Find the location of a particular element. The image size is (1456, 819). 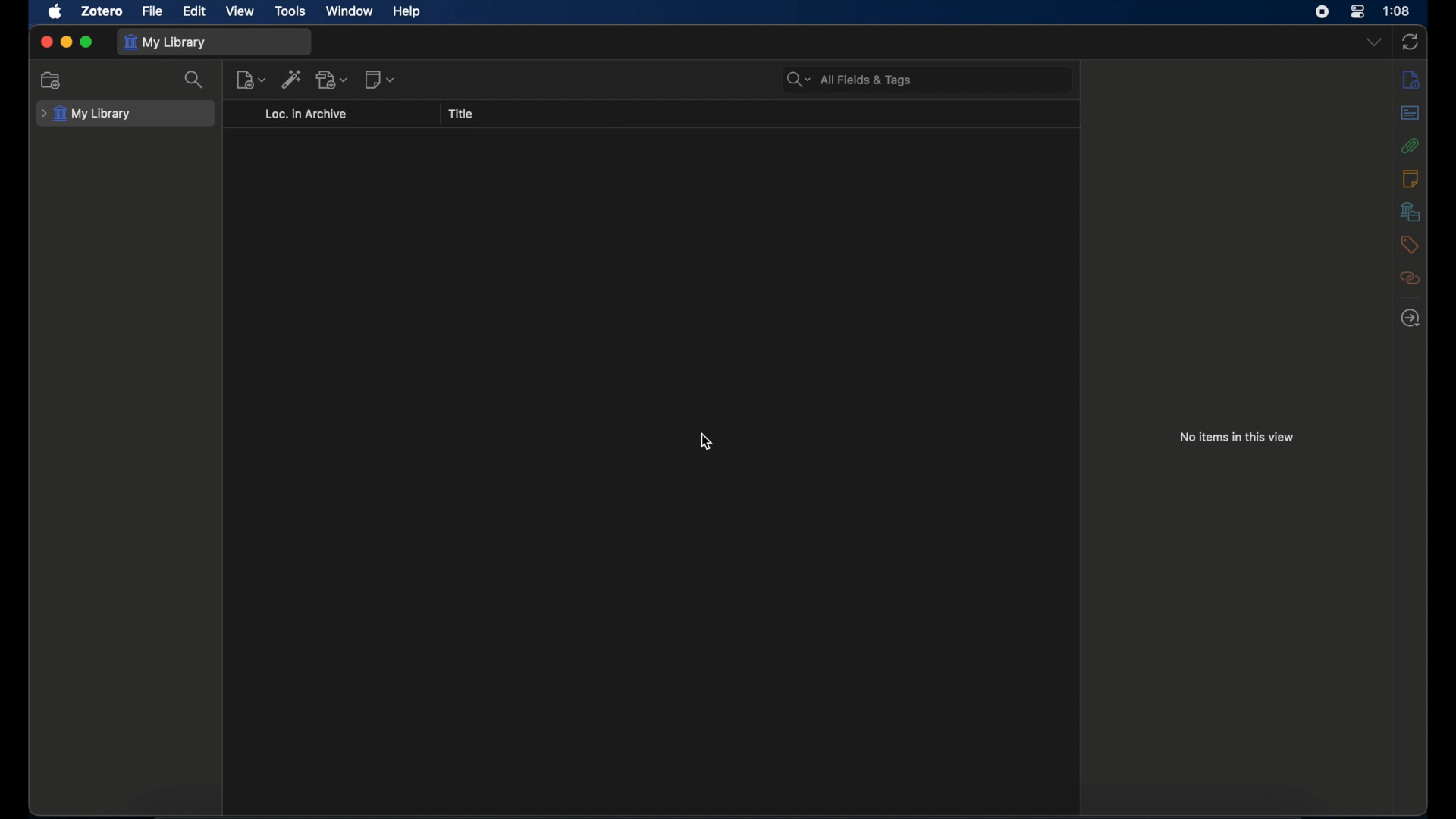

search is located at coordinates (195, 79).